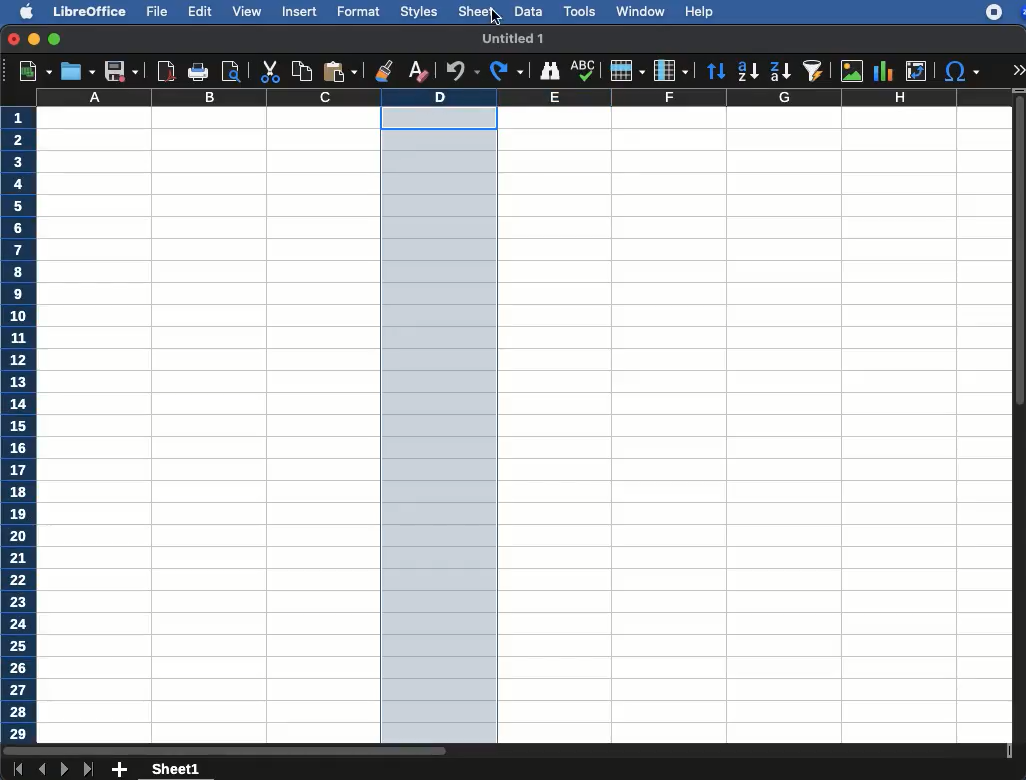 This screenshot has height=780, width=1026. What do you see at coordinates (159, 12) in the screenshot?
I see `file` at bounding box center [159, 12].